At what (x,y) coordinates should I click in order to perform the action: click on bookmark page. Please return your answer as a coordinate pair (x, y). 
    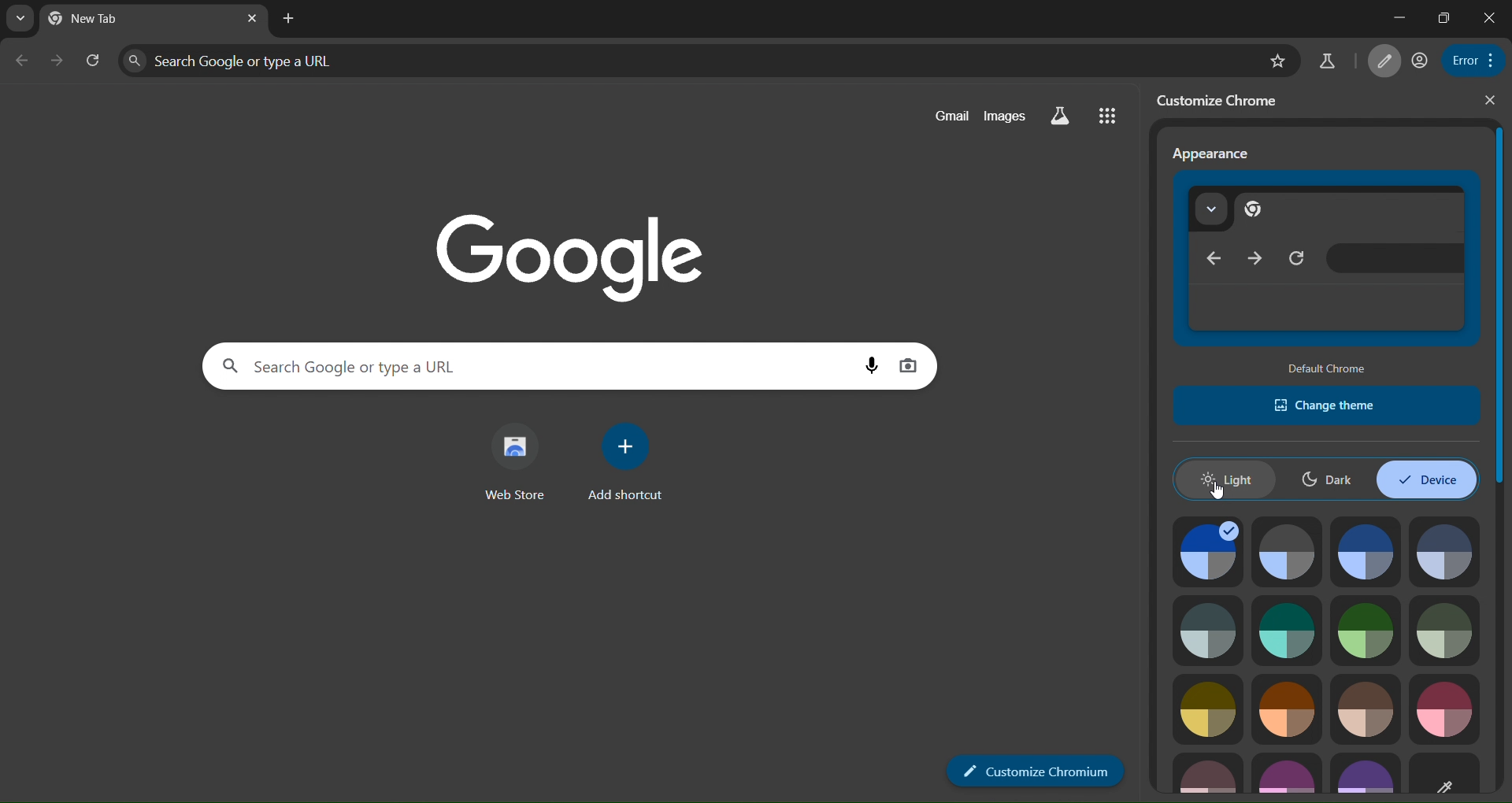
    Looking at the image, I should click on (1327, 61).